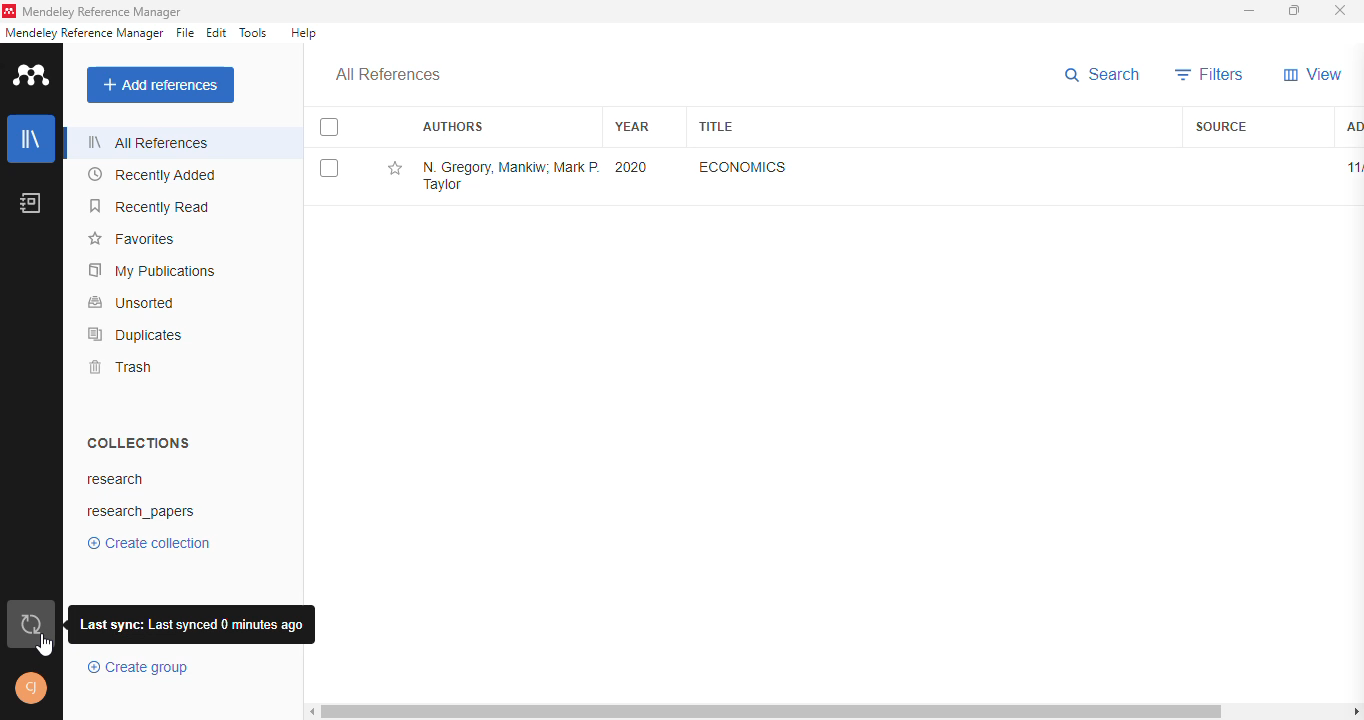  I want to click on research_papers, so click(142, 512).